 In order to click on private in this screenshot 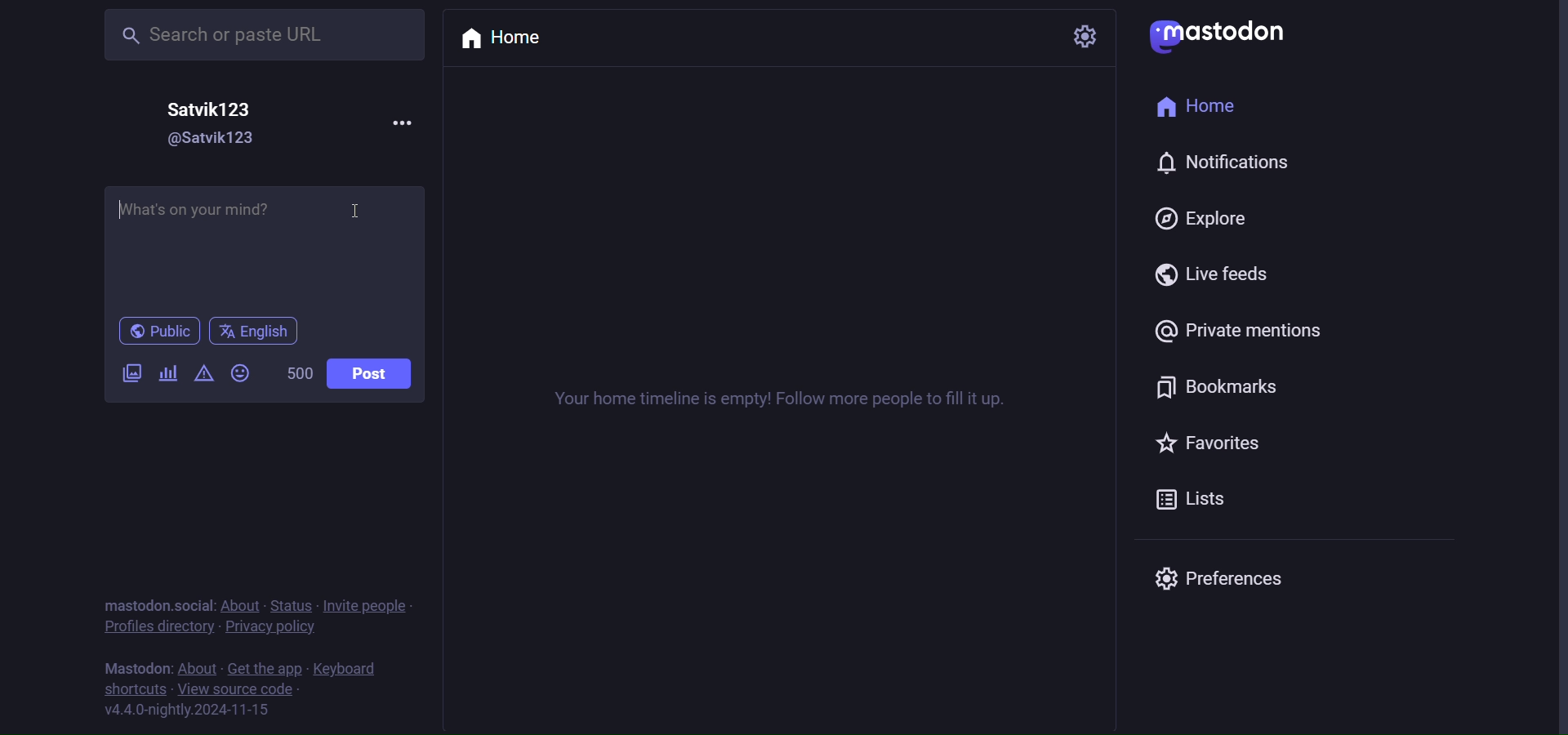, I will do `click(1247, 332)`.